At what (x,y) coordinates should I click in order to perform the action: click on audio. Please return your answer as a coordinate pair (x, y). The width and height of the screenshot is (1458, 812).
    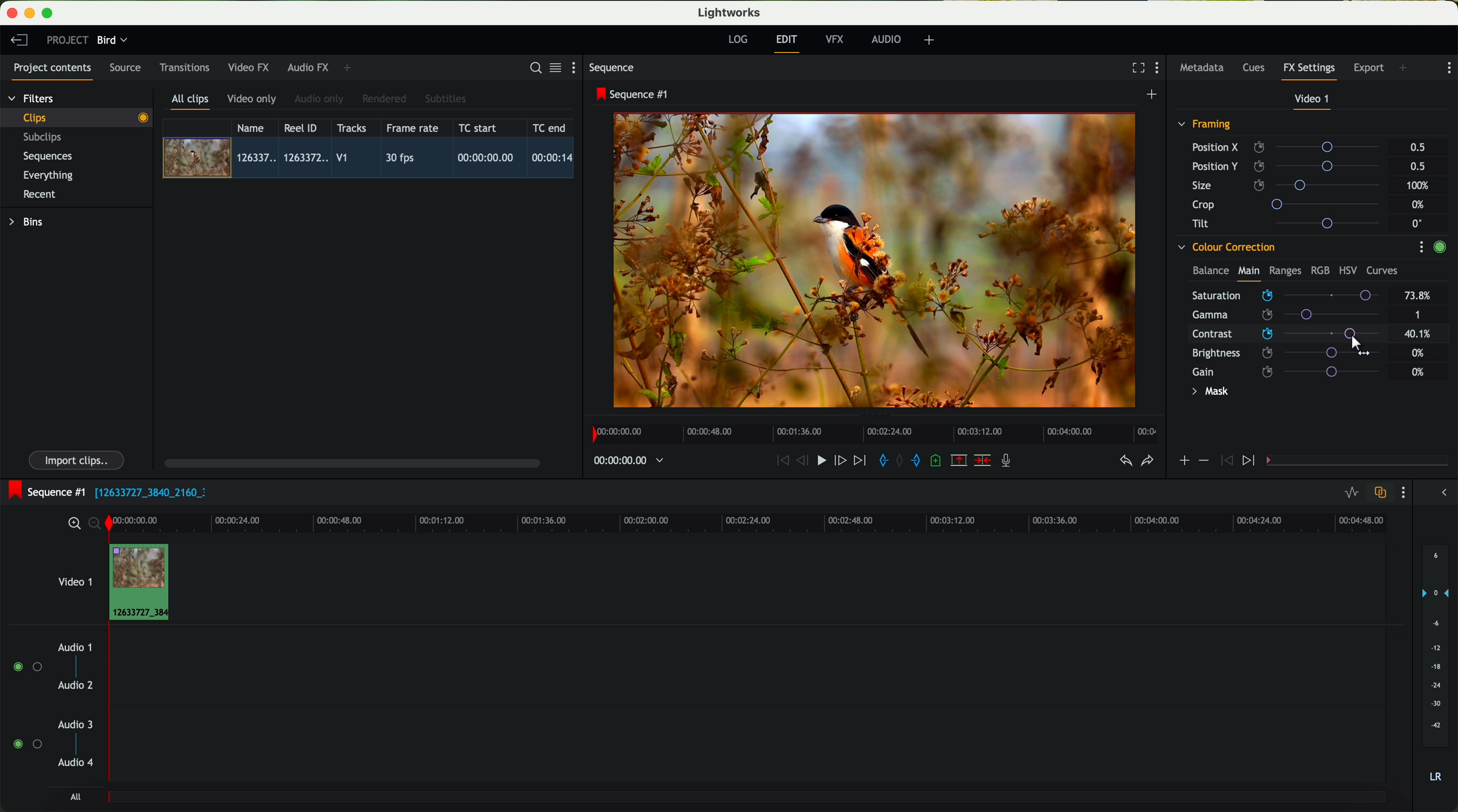
    Looking at the image, I should click on (886, 39).